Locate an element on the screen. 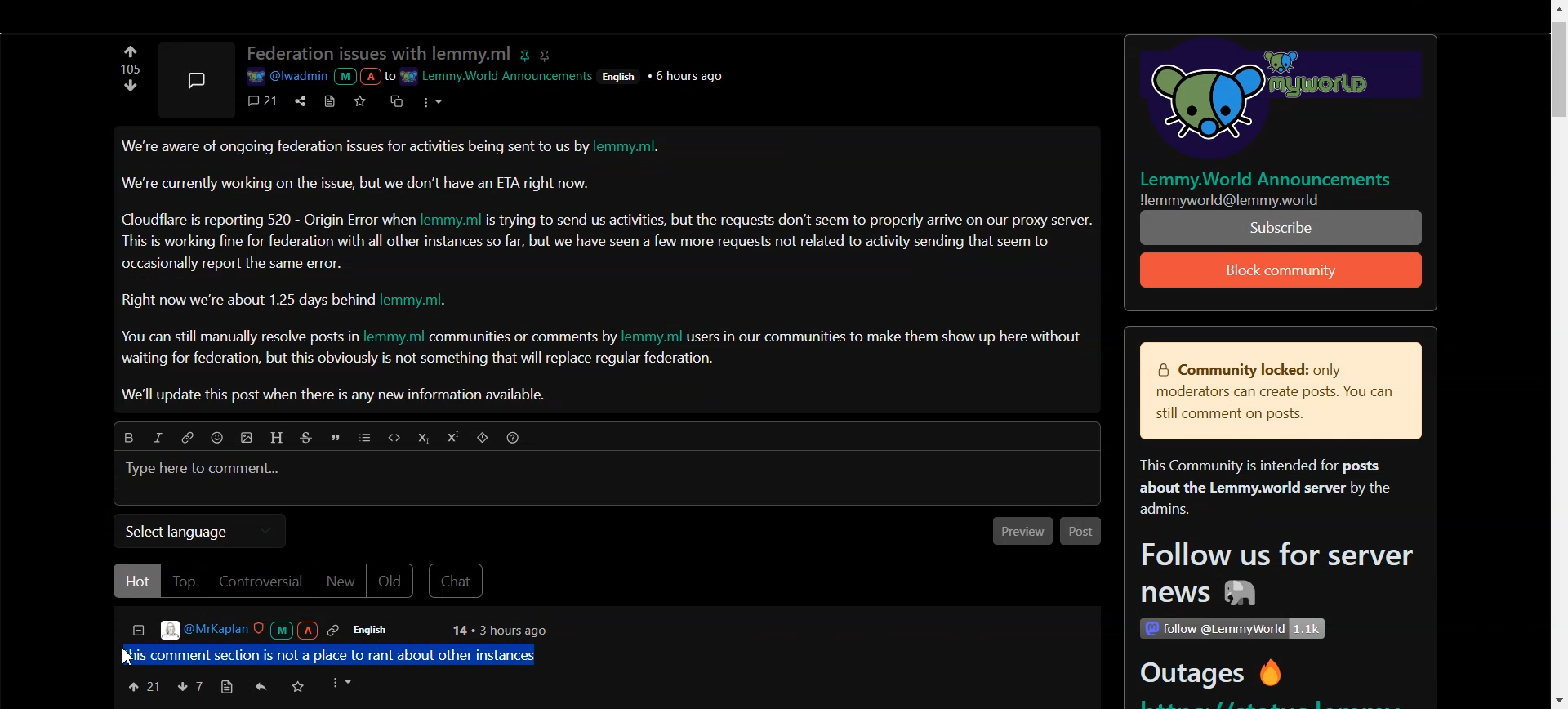 The width and height of the screenshot is (1568, 709). We're aware of ongoing federation issues for activities being sent to us by is located at coordinates (355, 150).